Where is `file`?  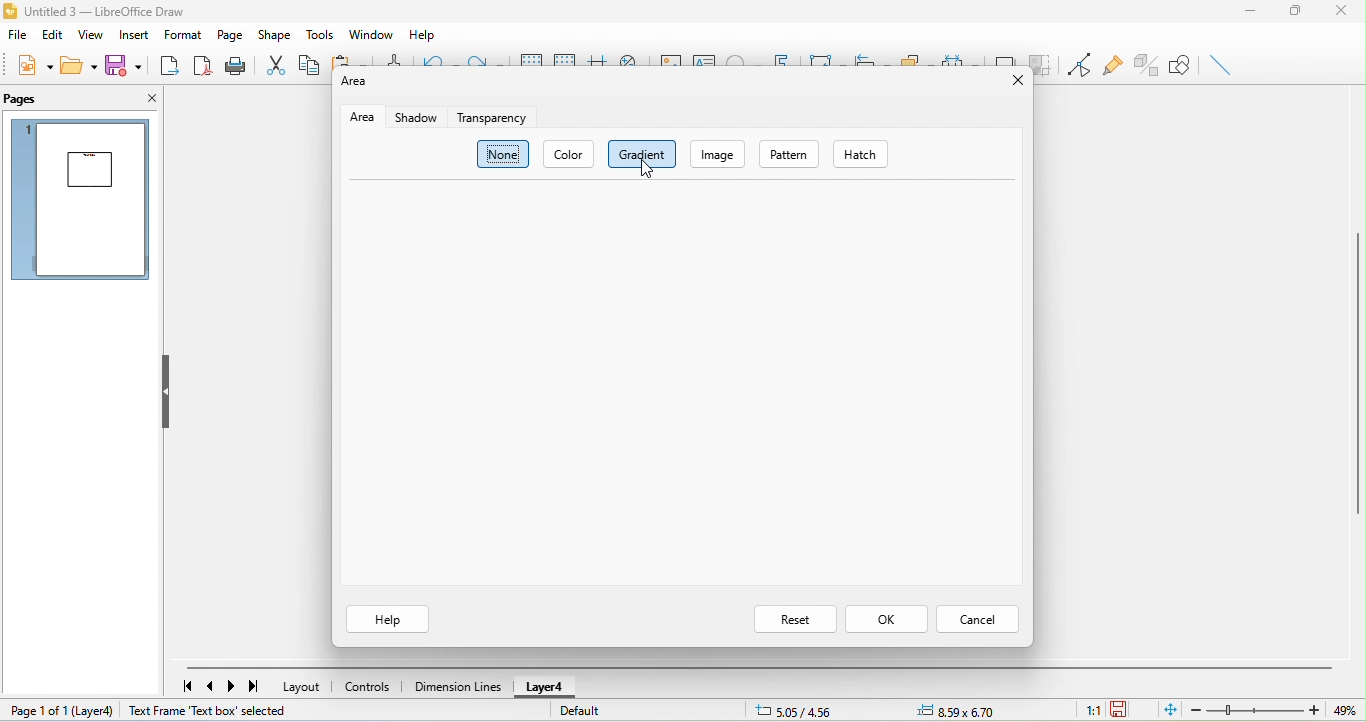 file is located at coordinates (16, 34).